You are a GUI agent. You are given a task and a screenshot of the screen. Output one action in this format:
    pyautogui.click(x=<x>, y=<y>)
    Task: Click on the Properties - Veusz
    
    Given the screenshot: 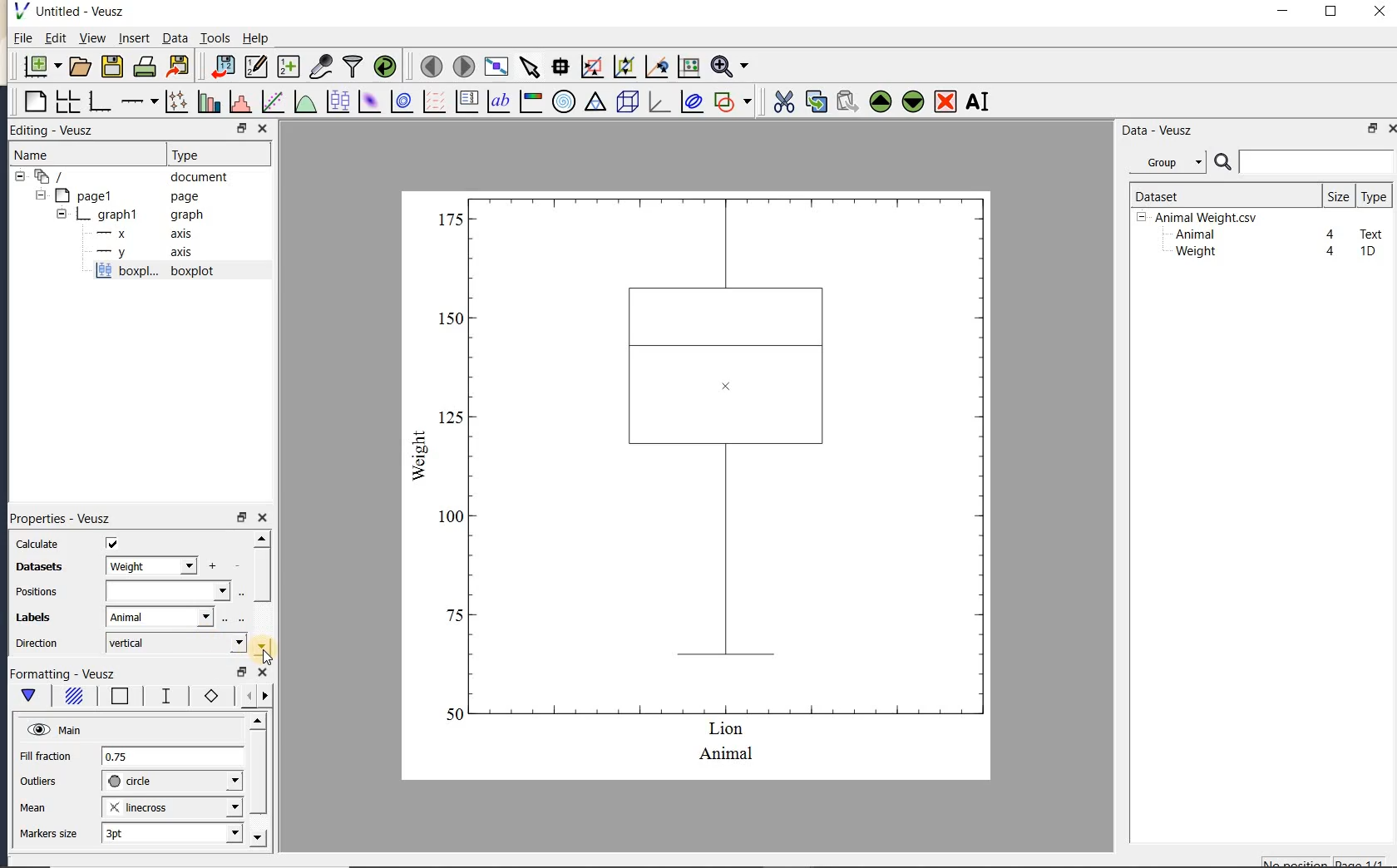 What is the action you would take?
    pyautogui.click(x=59, y=517)
    